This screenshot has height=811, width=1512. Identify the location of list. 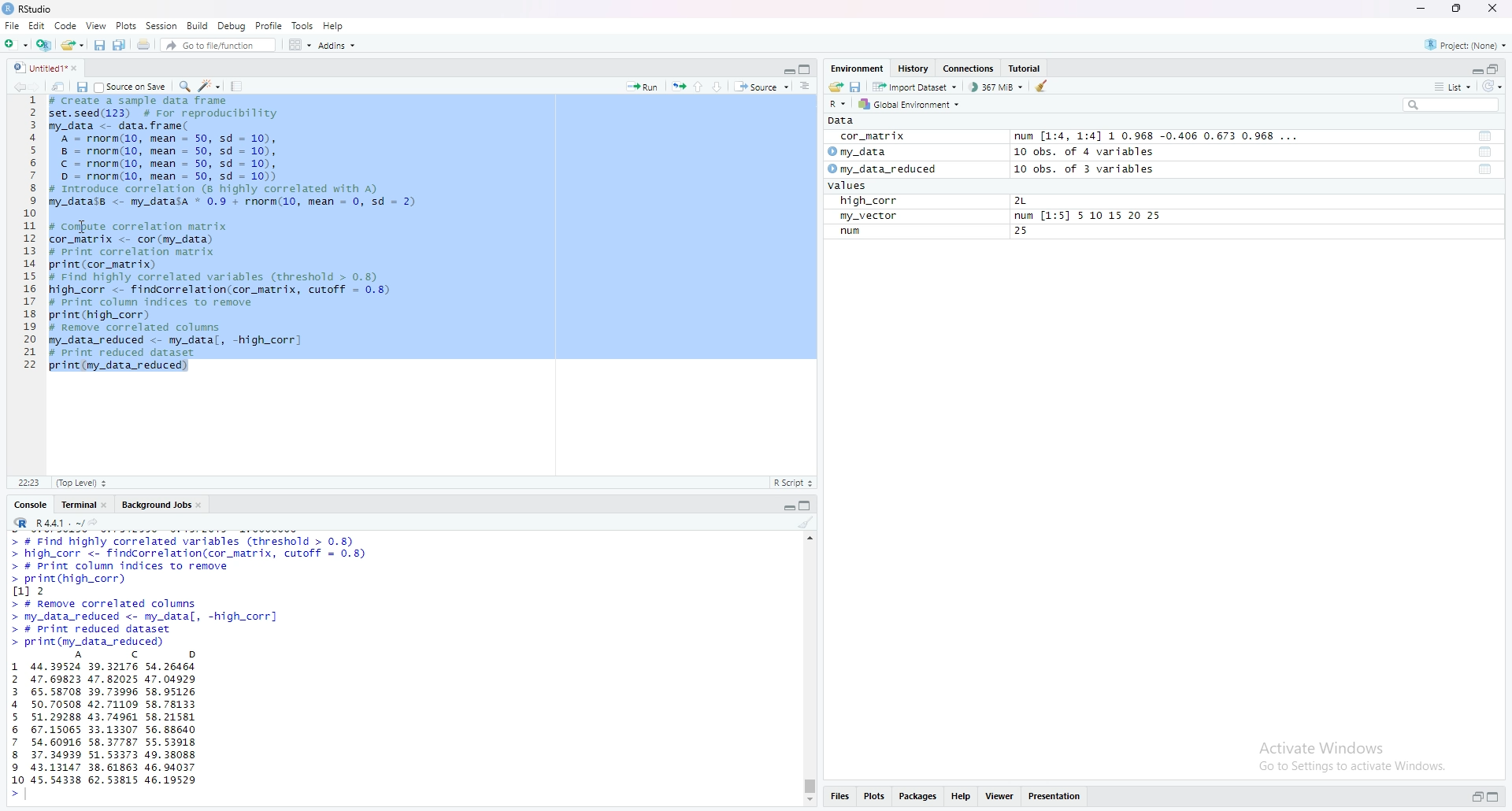
(1453, 87).